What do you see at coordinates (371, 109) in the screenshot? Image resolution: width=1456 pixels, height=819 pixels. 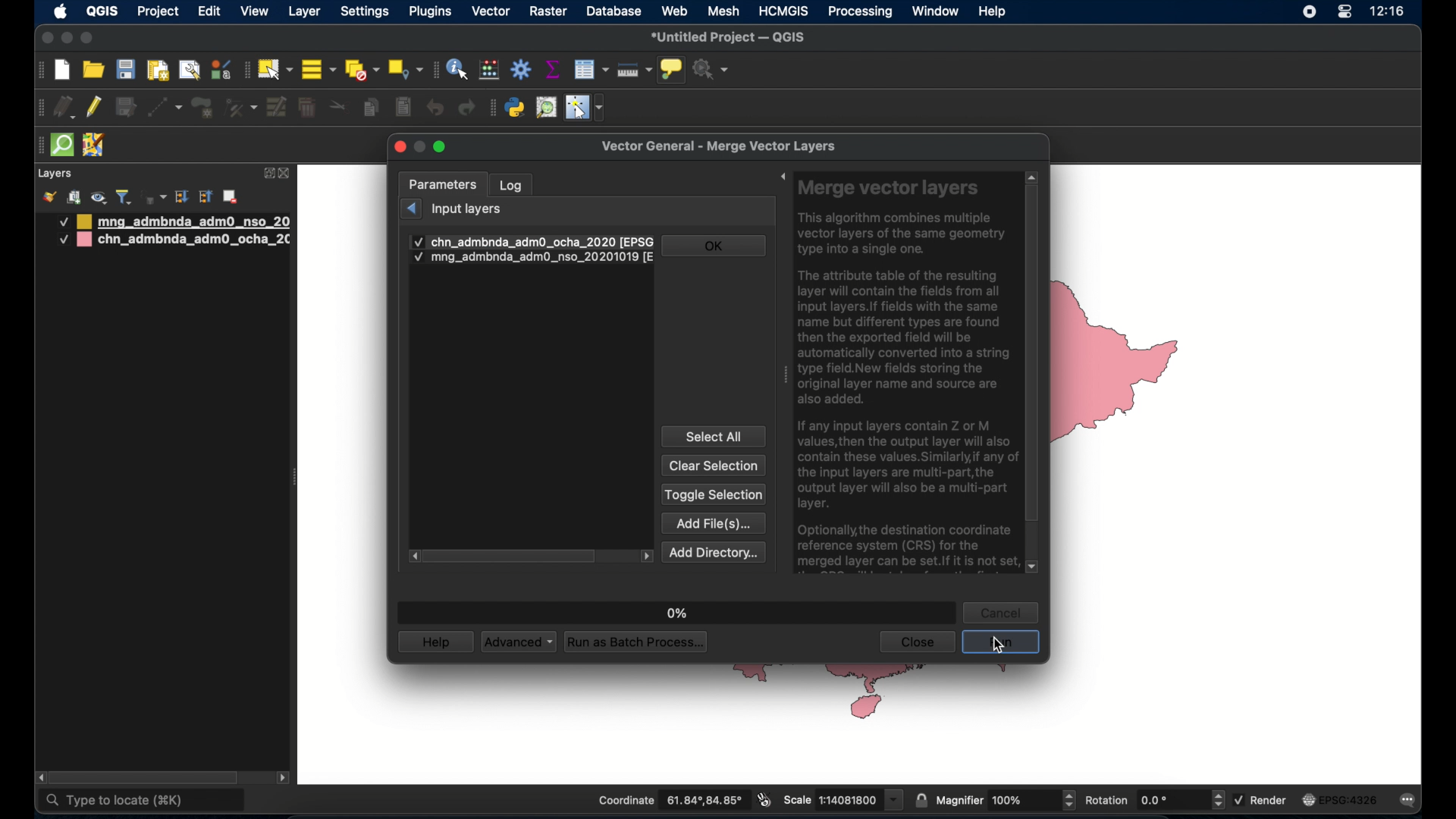 I see `copy features` at bounding box center [371, 109].